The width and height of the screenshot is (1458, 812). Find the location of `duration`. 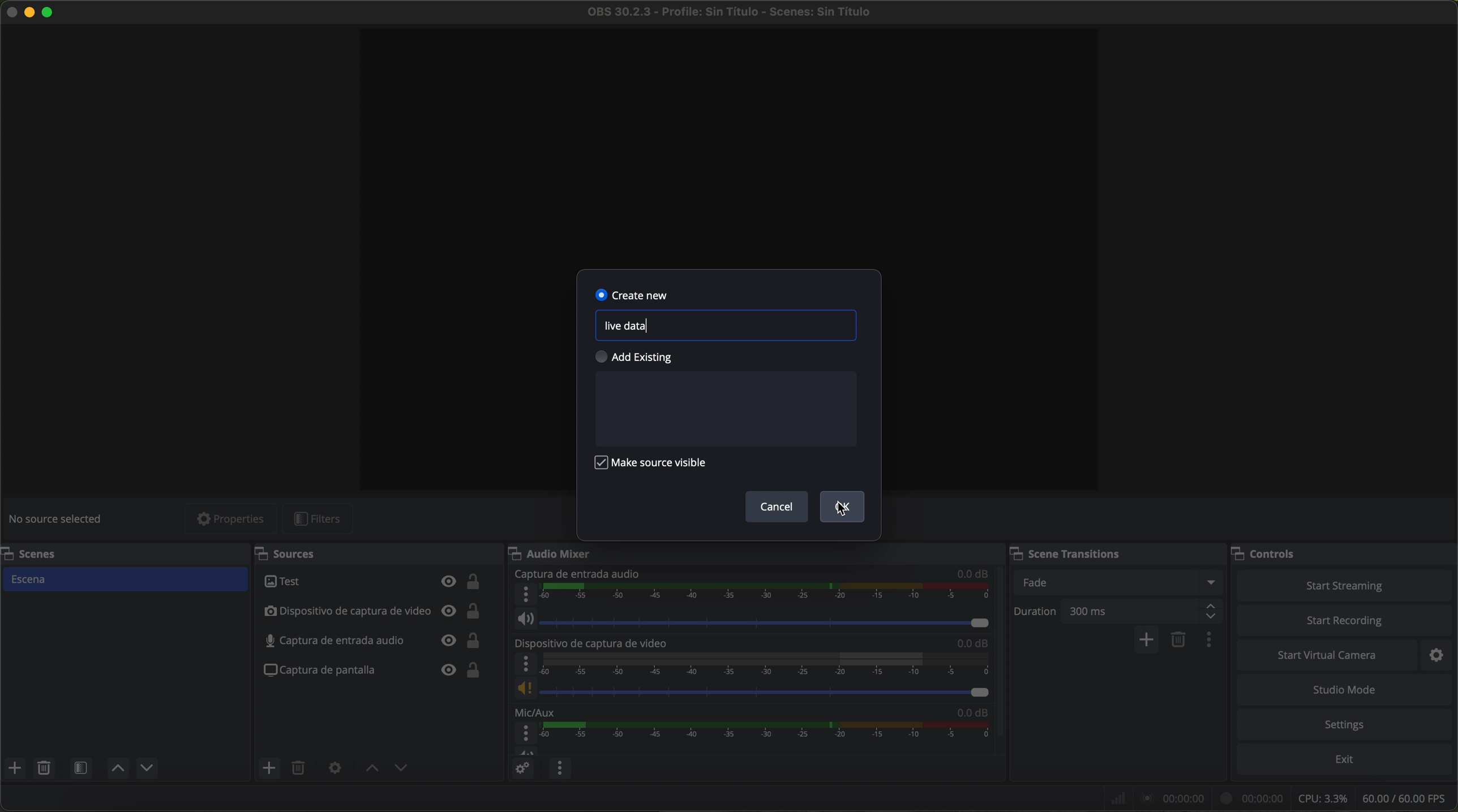

duration is located at coordinates (1037, 613).